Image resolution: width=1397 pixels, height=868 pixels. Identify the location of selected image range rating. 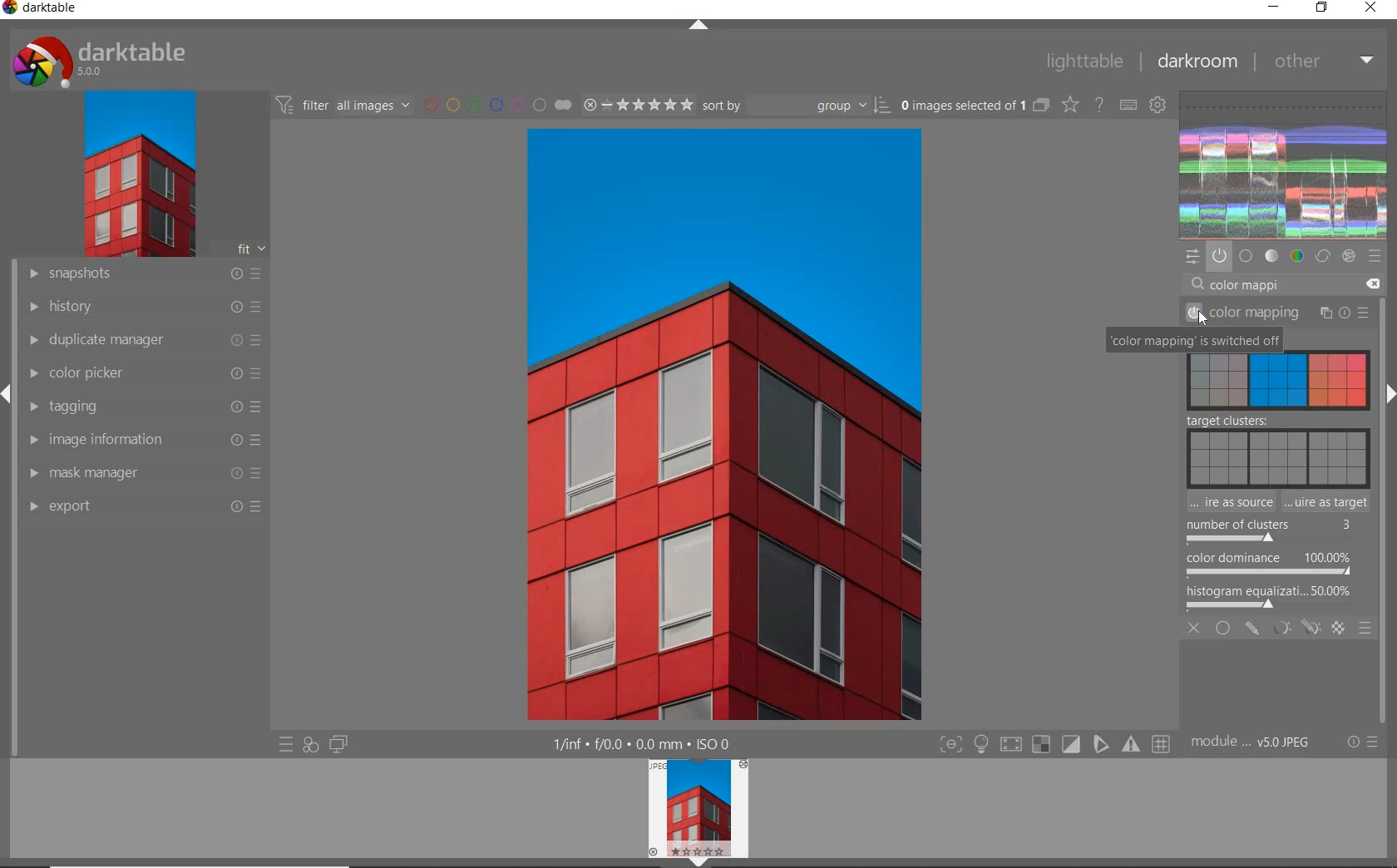
(636, 104).